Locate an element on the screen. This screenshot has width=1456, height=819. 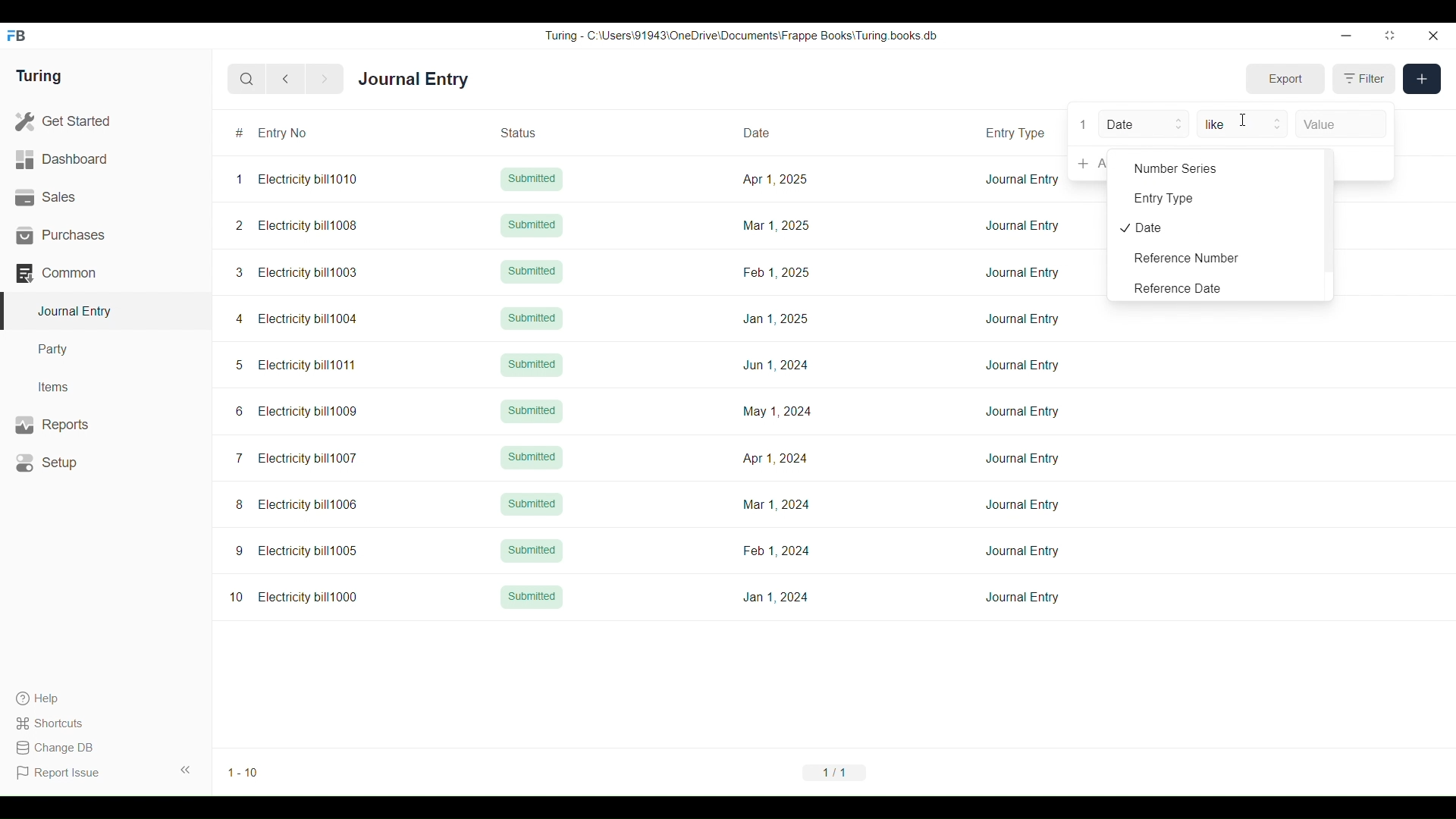
Journal Entry is located at coordinates (1022, 551).